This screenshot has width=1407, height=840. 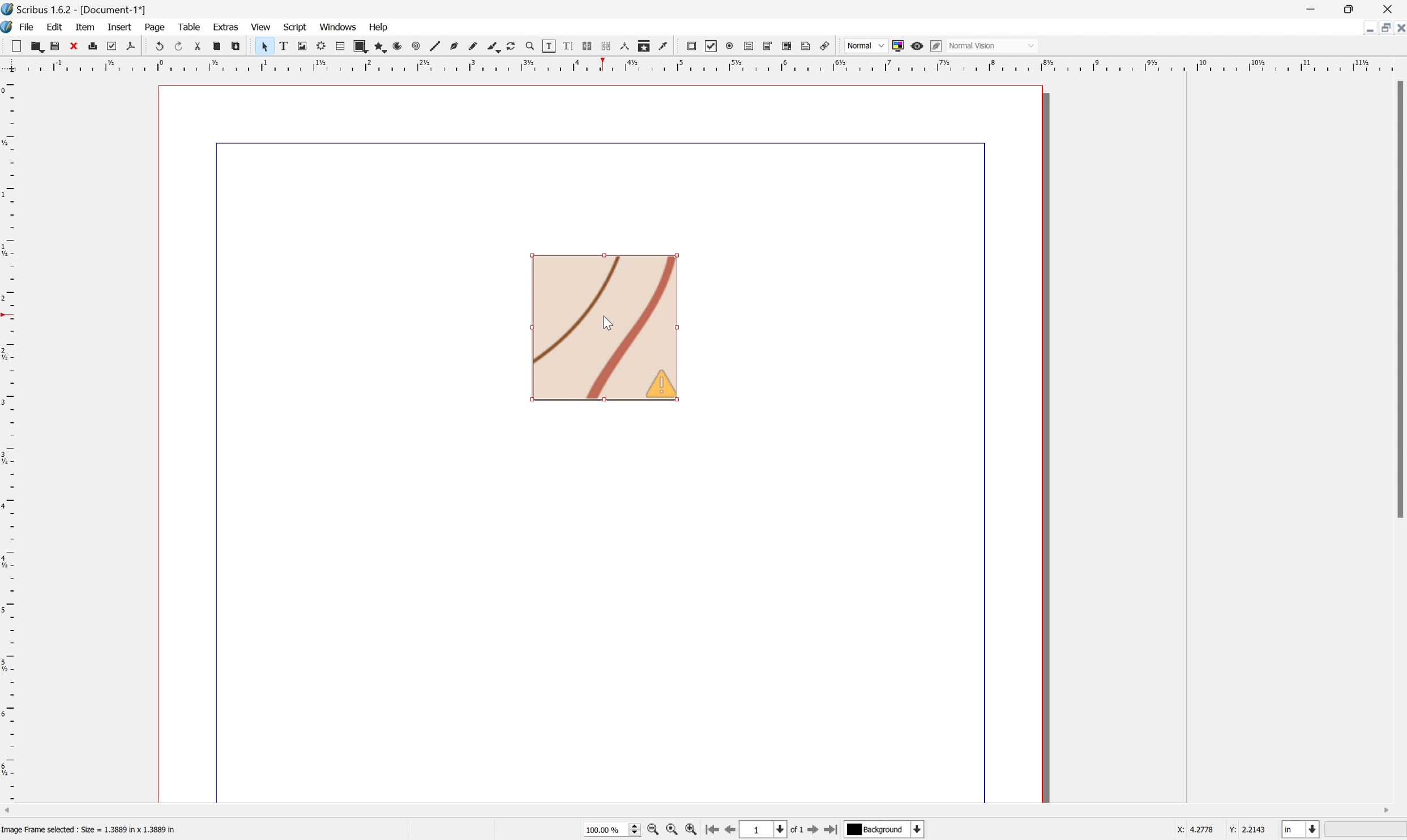 I want to click on Page, so click(x=155, y=27).